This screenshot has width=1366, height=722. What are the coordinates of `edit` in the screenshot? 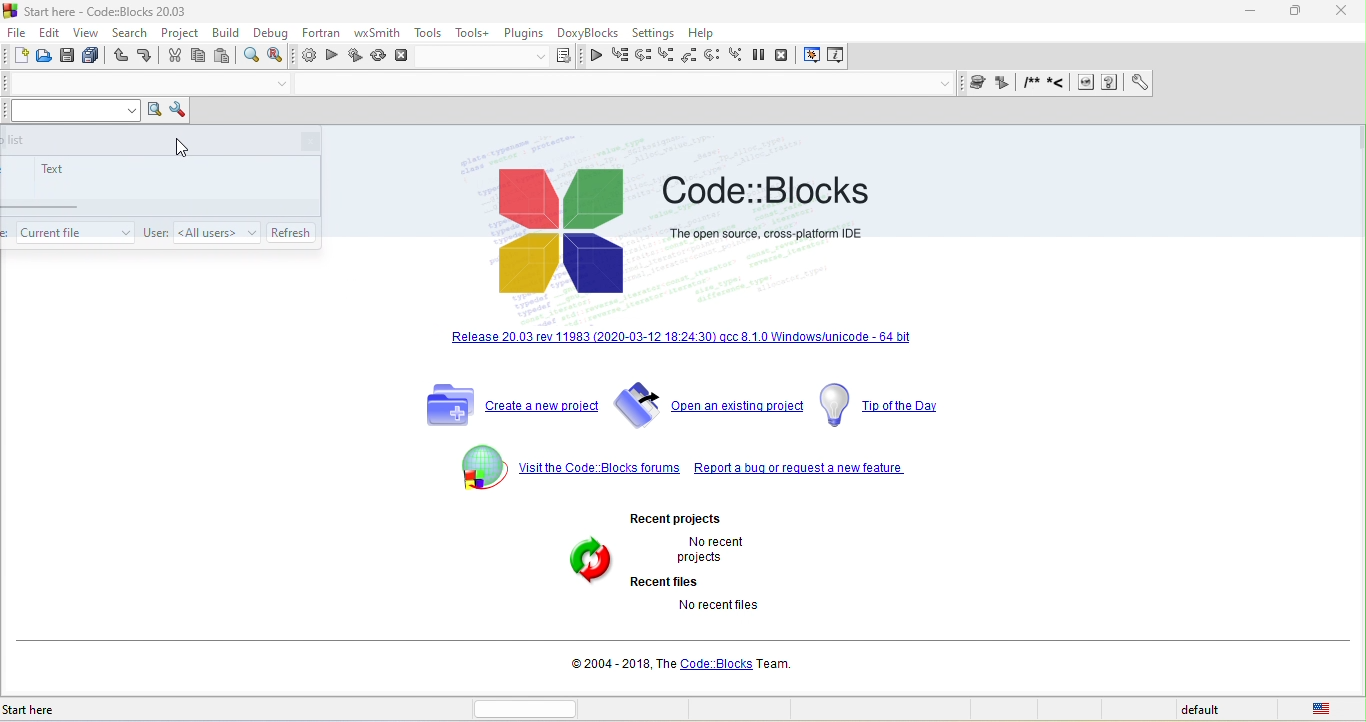 It's located at (53, 32).